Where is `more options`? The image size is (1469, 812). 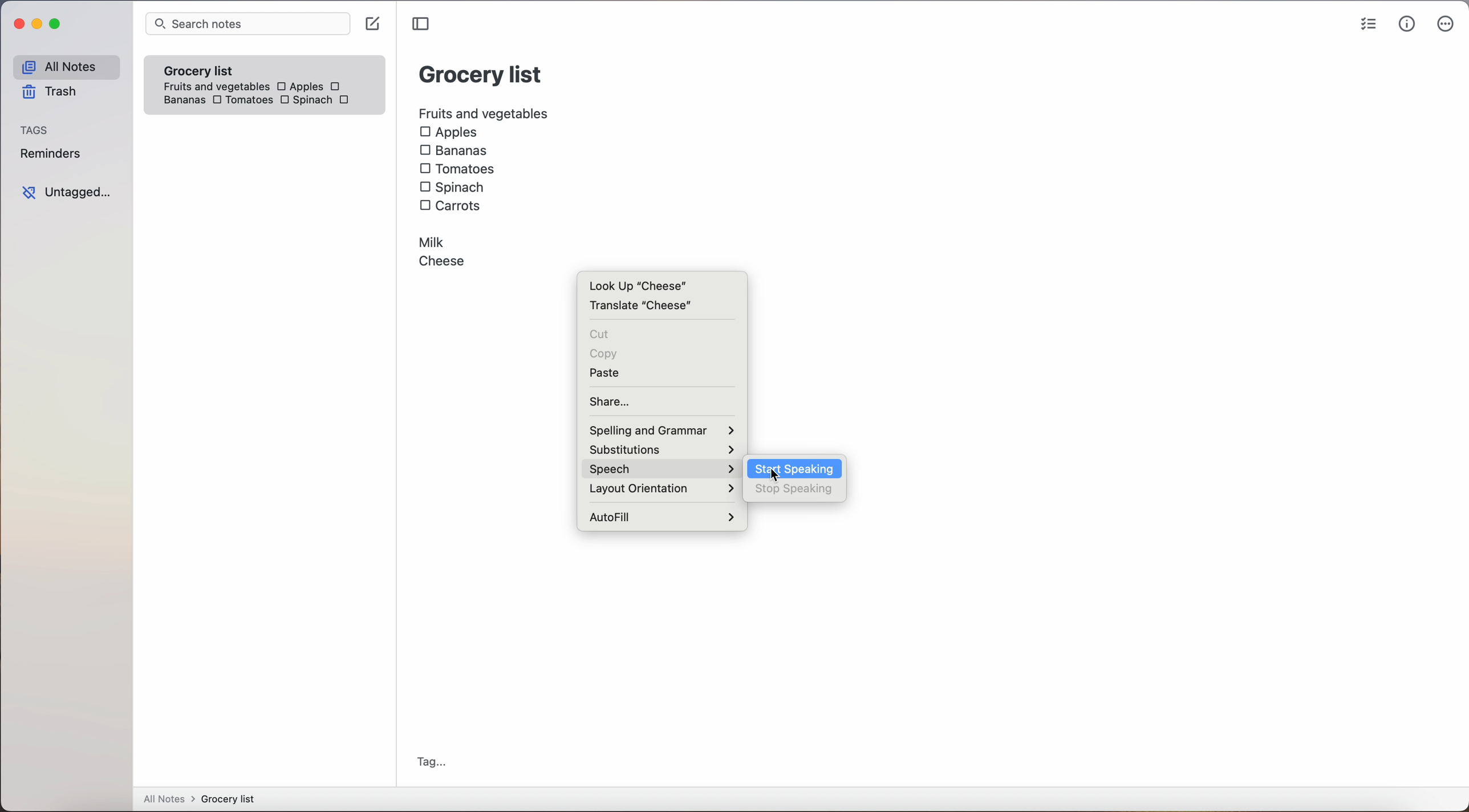
more options is located at coordinates (1445, 25).